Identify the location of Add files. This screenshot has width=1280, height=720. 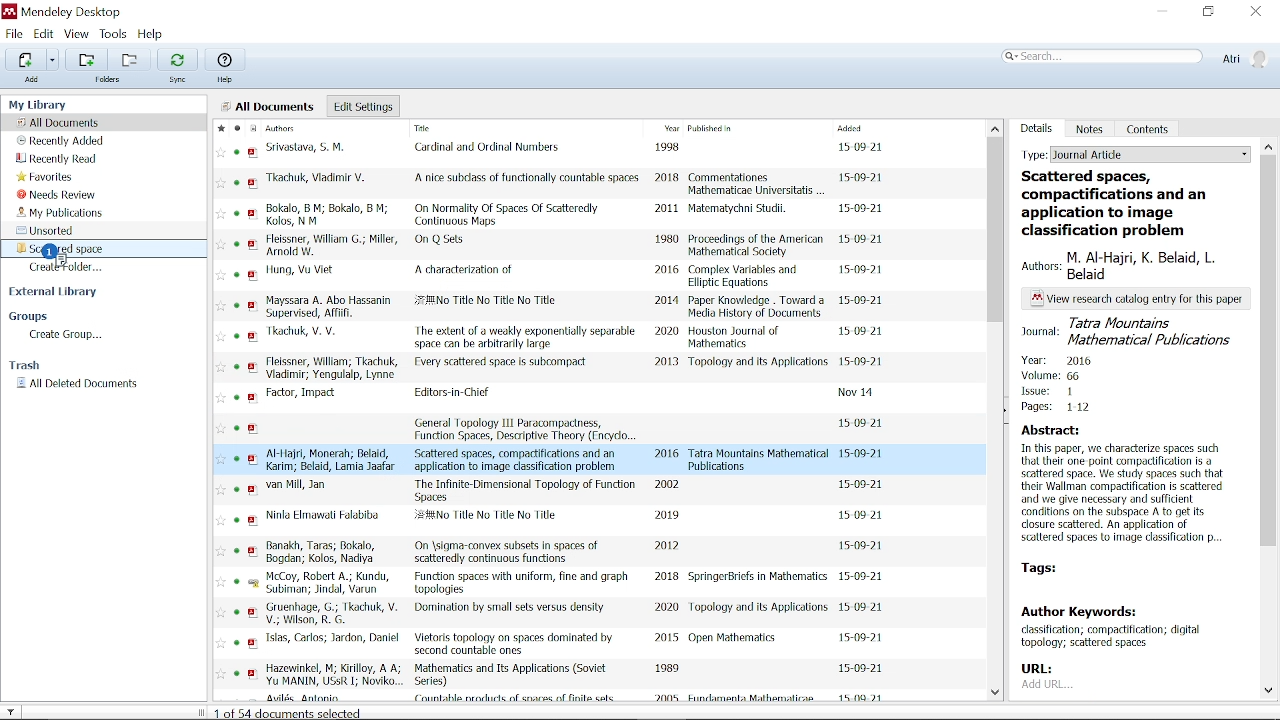
(25, 59).